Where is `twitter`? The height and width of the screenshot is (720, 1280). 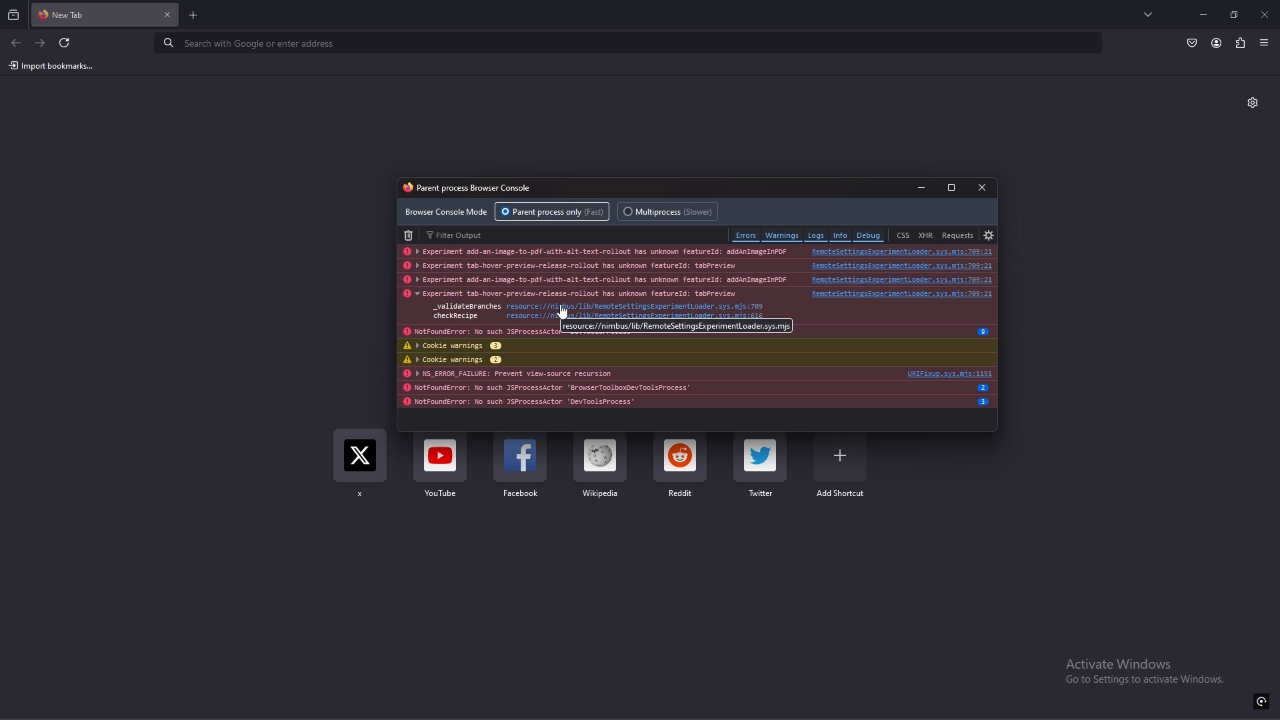 twitter is located at coordinates (759, 465).